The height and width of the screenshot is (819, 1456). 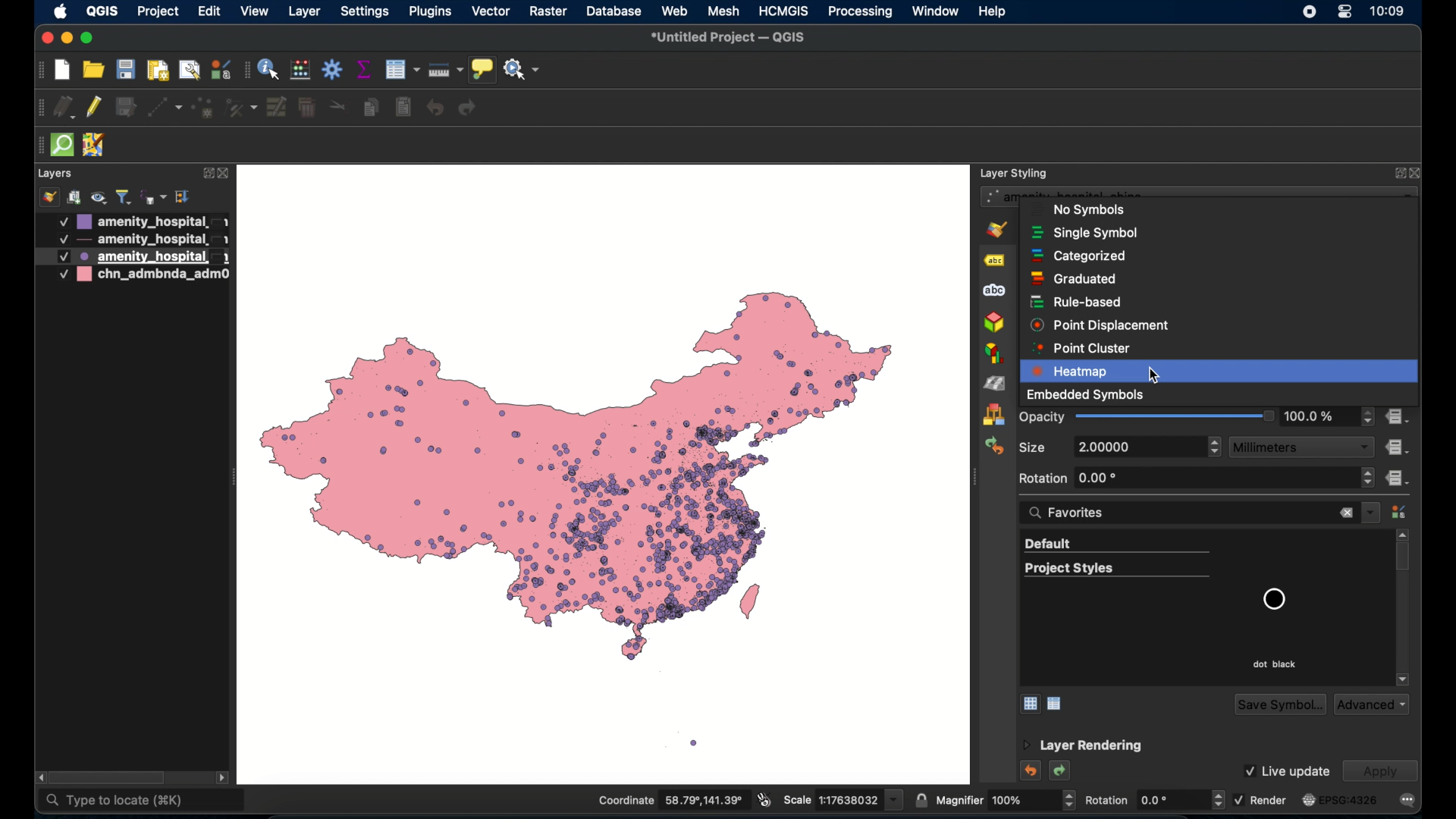 What do you see at coordinates (371, 108) in the screenshot?
I see `copy features` at bounding box center [371, 108].